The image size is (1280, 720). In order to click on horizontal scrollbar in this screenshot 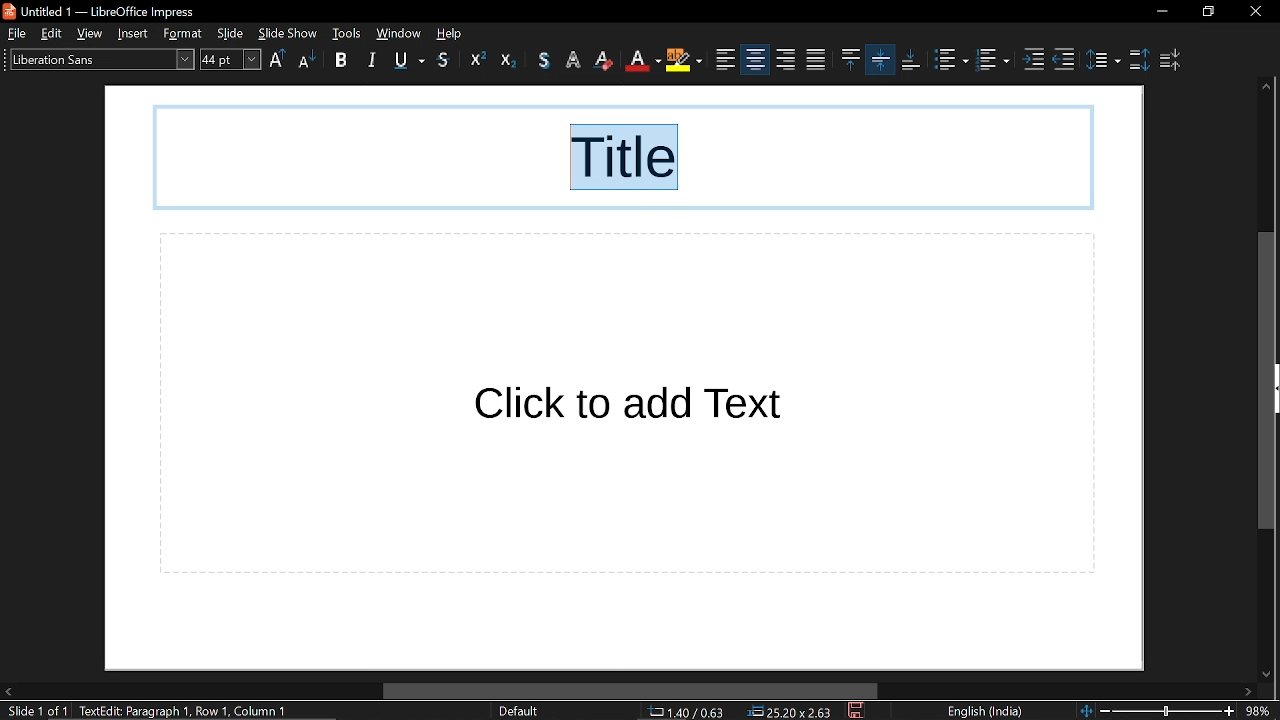, I will do `click(630, 692)`.